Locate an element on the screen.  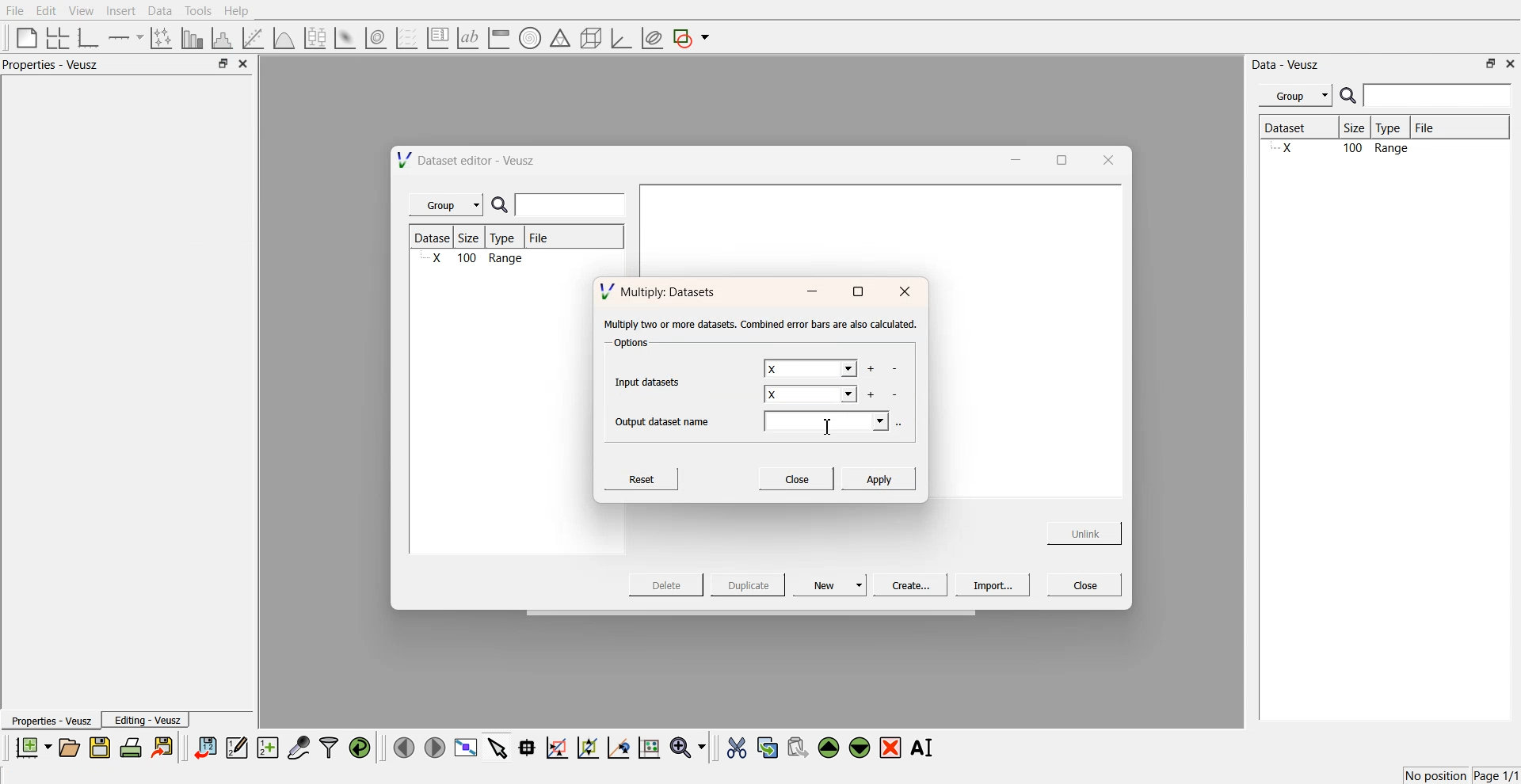
X 100 Range is located at coordinates (1382, 150).